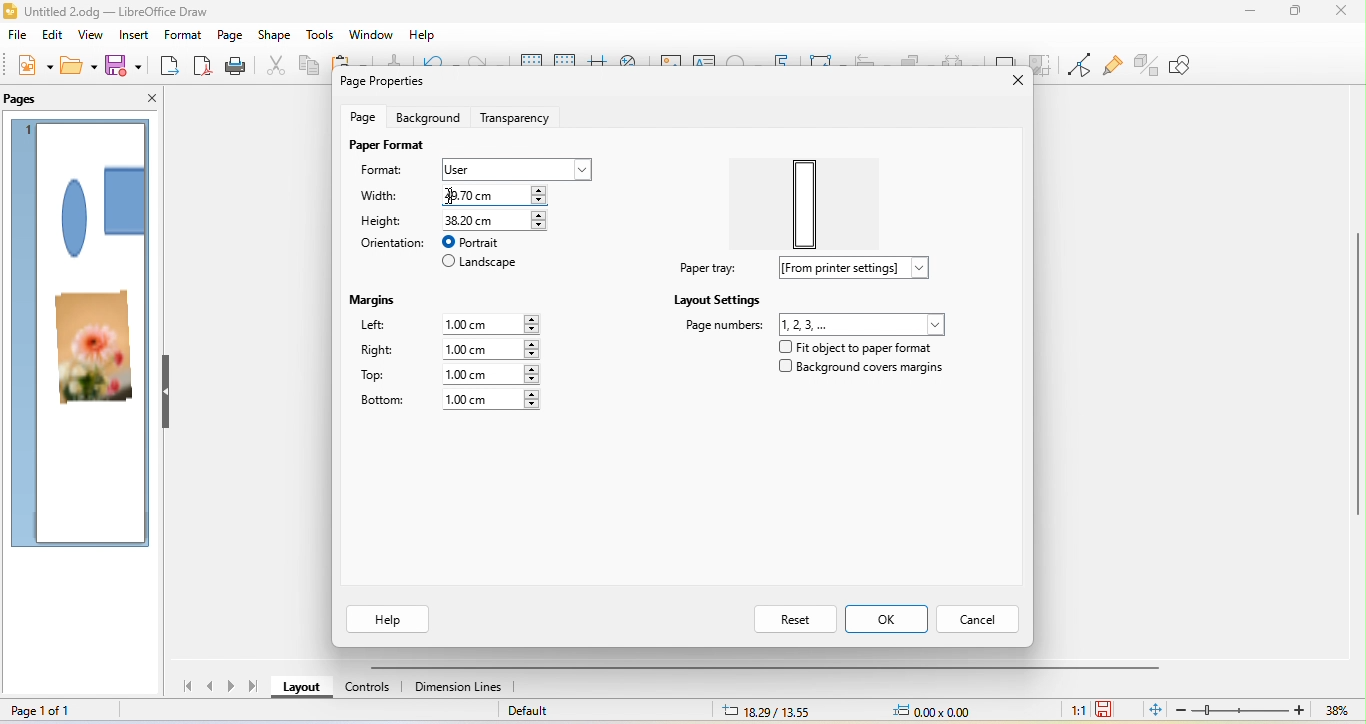 The width and height of the screenshot is (1366, 724). What do you see at coordinates (135, 37) in the screenshot?
I see `insert` at bounding box center [135, 37].